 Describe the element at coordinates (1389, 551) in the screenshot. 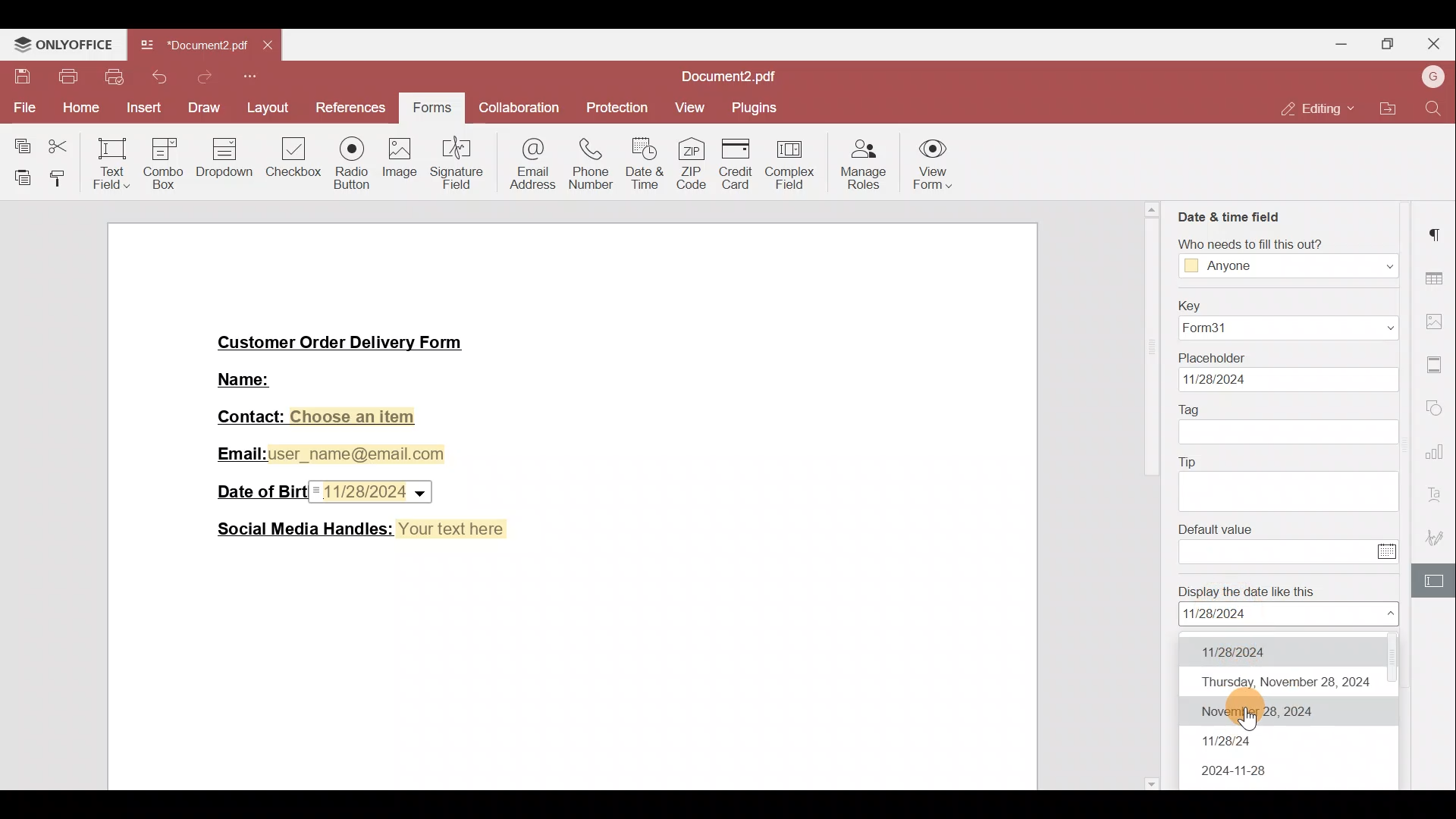

I see `Calendar ` at that location.